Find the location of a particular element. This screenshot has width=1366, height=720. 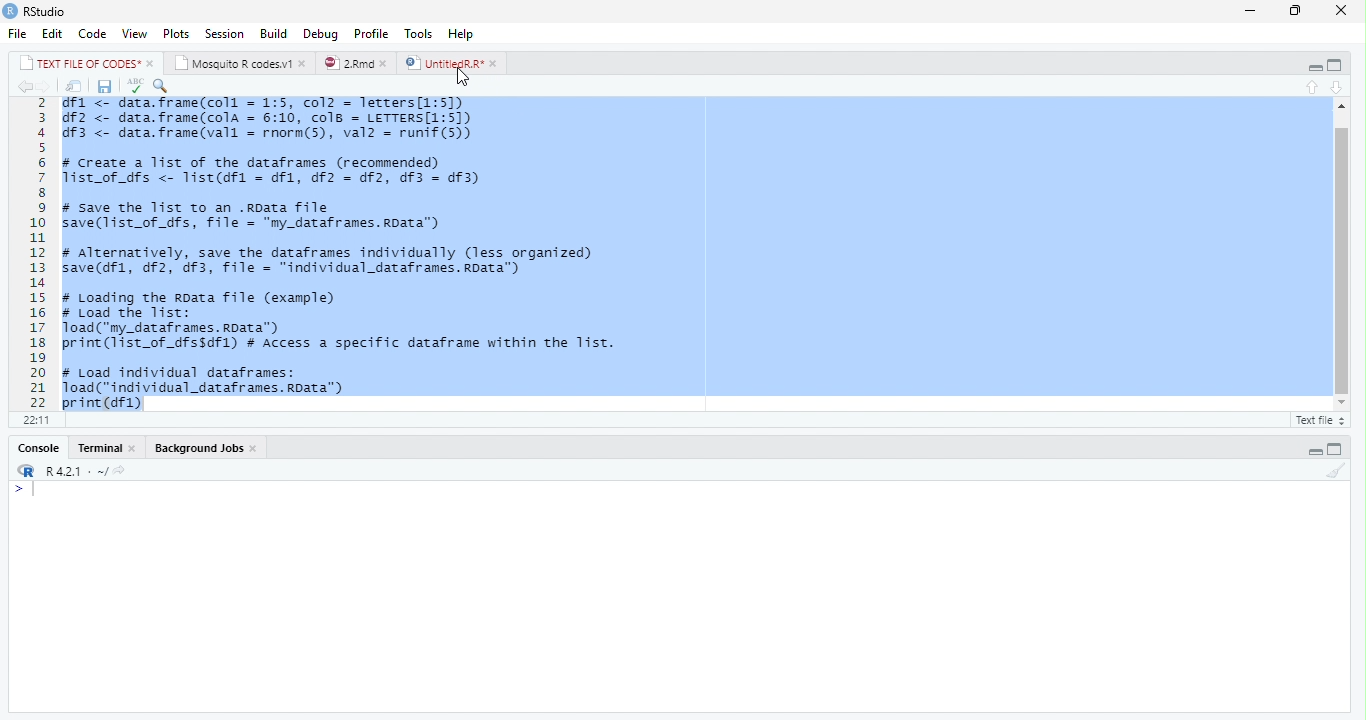

UntitiedR.R is located at coordinates (453, 63).